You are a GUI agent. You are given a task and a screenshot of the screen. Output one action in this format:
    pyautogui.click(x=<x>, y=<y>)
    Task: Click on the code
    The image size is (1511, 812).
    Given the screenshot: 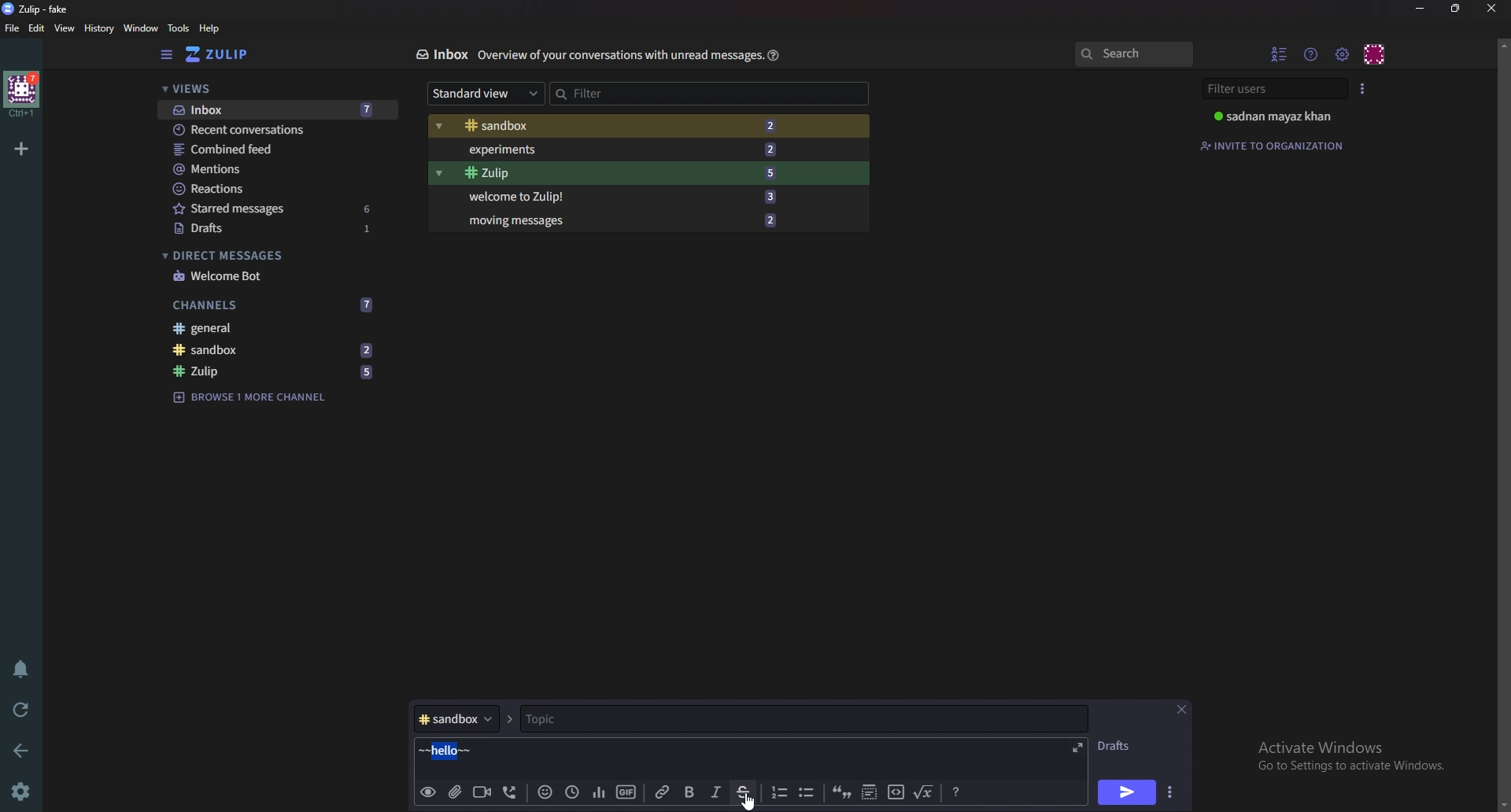 What is the action you would take?
    pyautogui.click(x=893, y=793)
    